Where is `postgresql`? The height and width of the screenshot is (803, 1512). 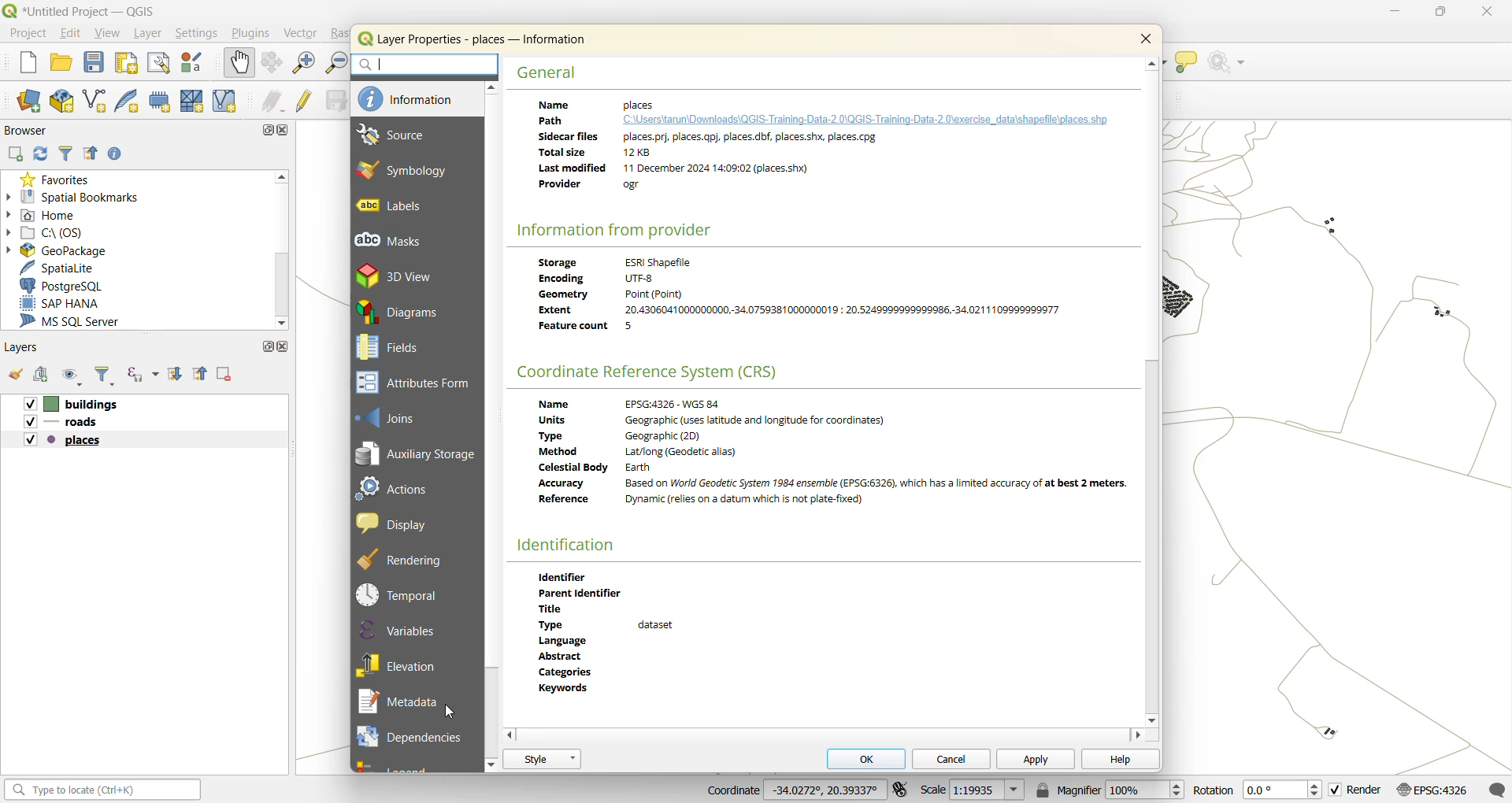
postgresql is located at coordinates (76, 283).